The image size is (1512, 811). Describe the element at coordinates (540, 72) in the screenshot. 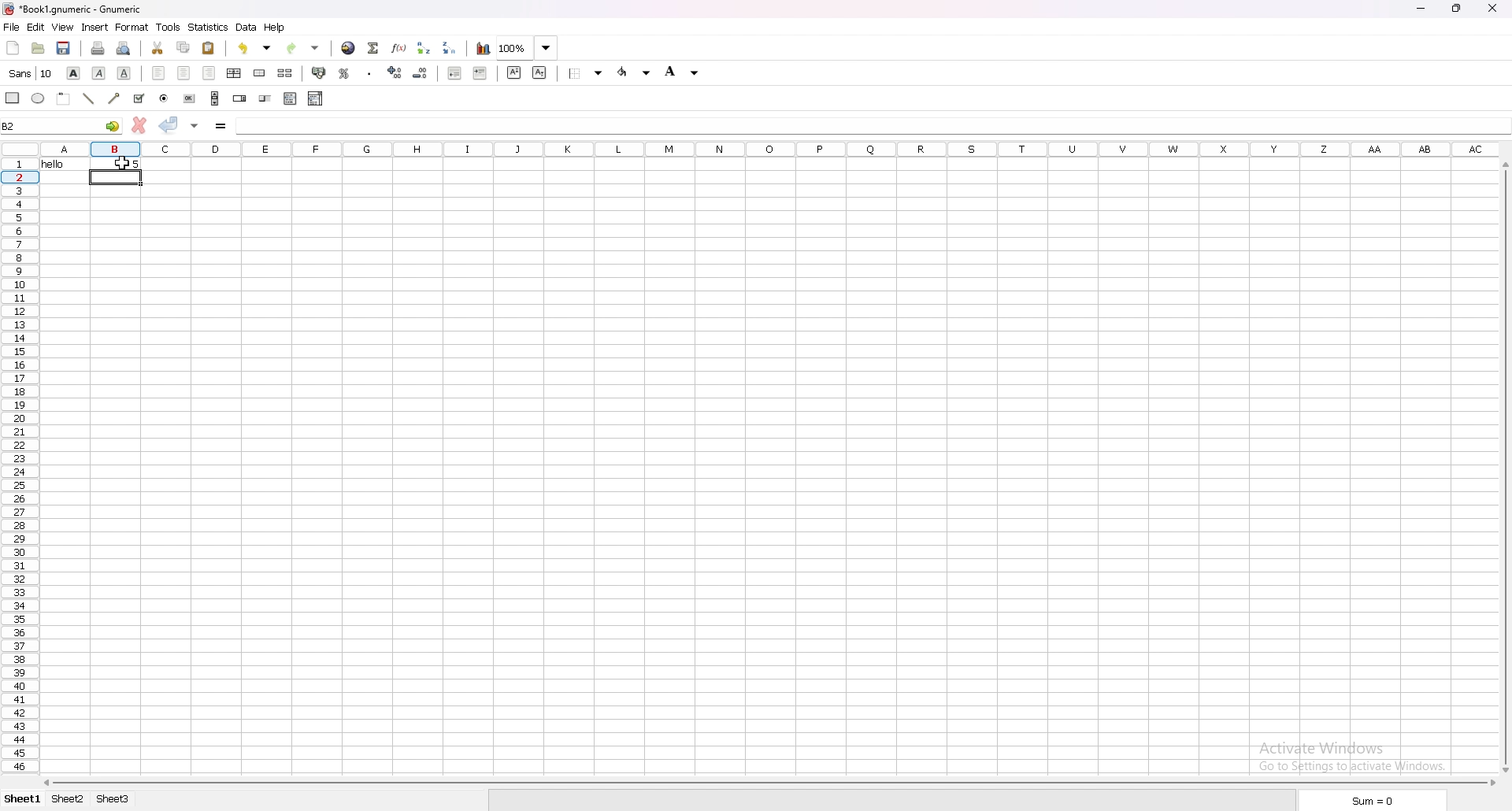

I see `subscript` at that location.